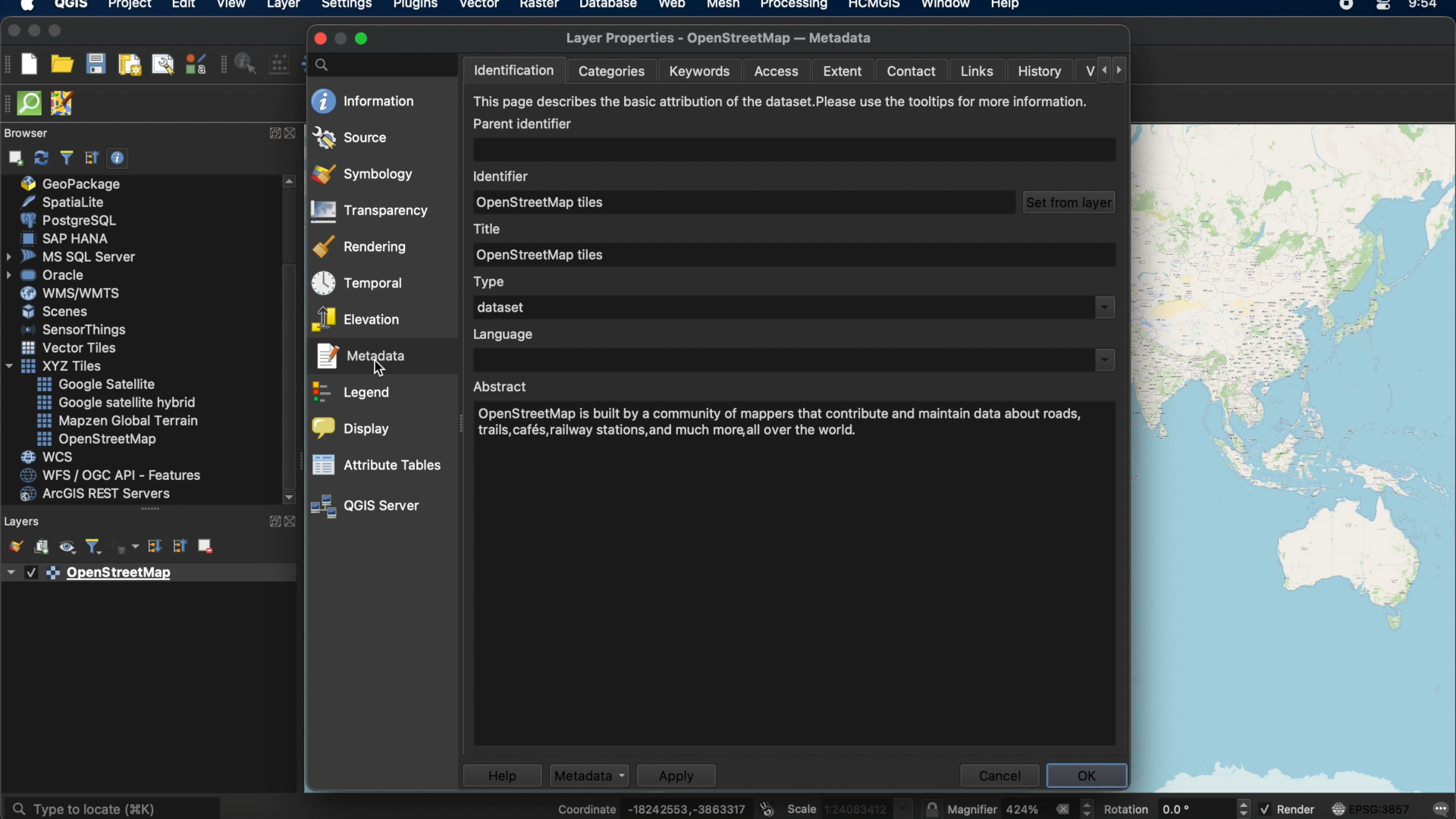  What do you see at coordinates (779, 113) in the screenshot?
I see `description` at bounding box center [779, 113].